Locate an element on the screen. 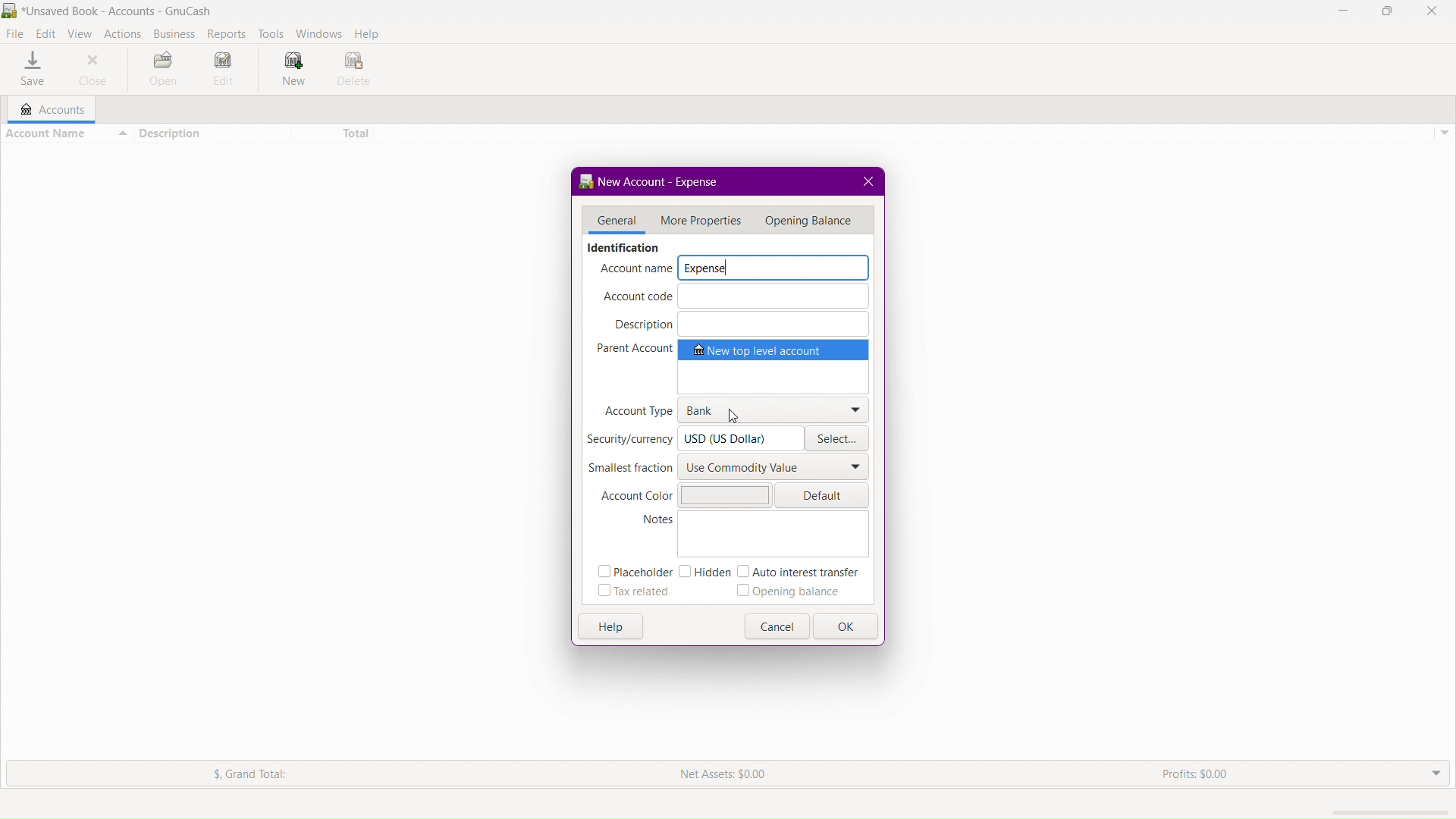 This screenshot has height=819, width=1456. Close is located at coordinates (99, 71).